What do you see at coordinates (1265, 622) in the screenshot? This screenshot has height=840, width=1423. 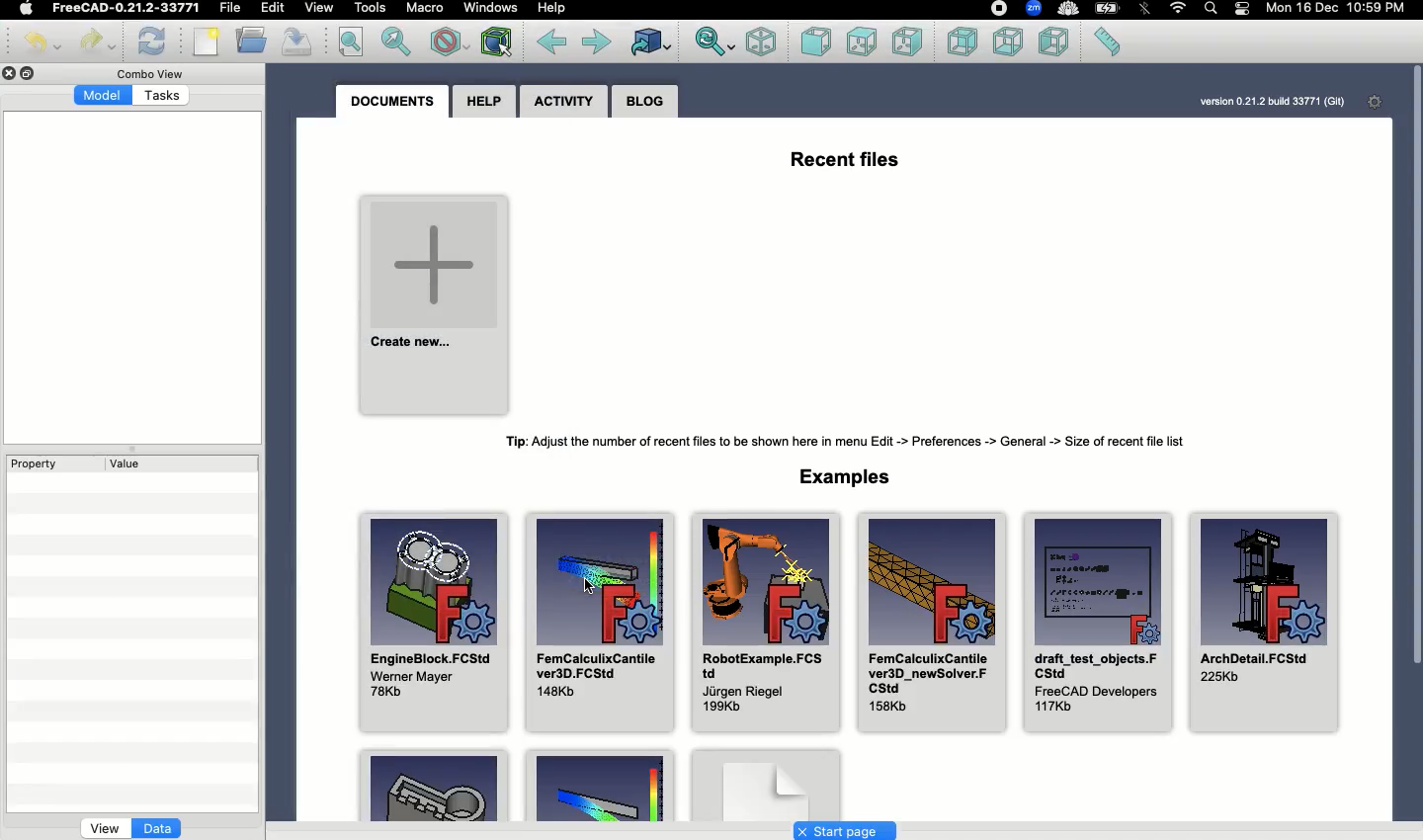 I see `ArchDetail.FCStd.225kB` at bounding box center [1265, 622].